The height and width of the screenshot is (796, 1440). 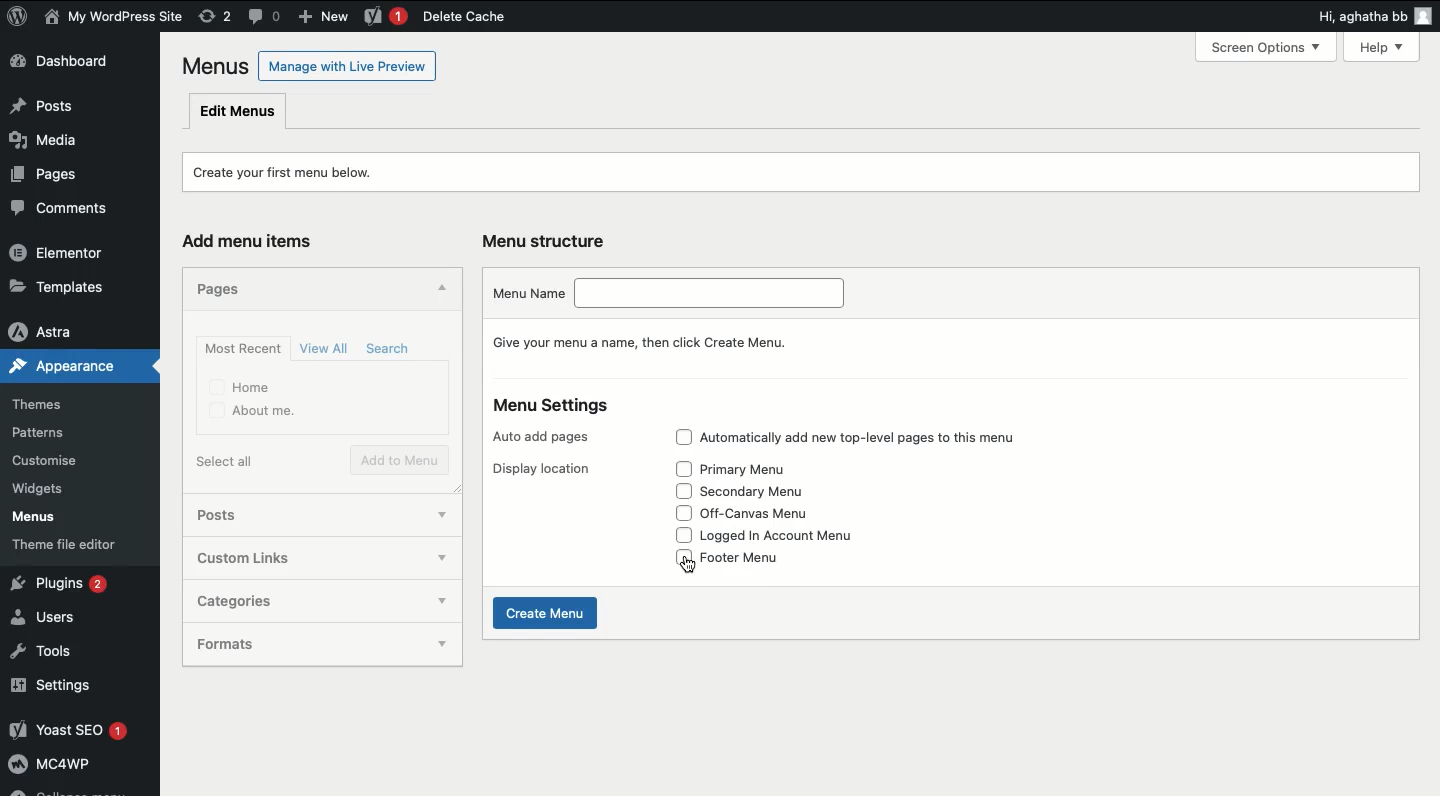 What do you see at coordinates (795, 536) in the screenshot?
I see `Logged in account menu` at bounding box center [795, 536].